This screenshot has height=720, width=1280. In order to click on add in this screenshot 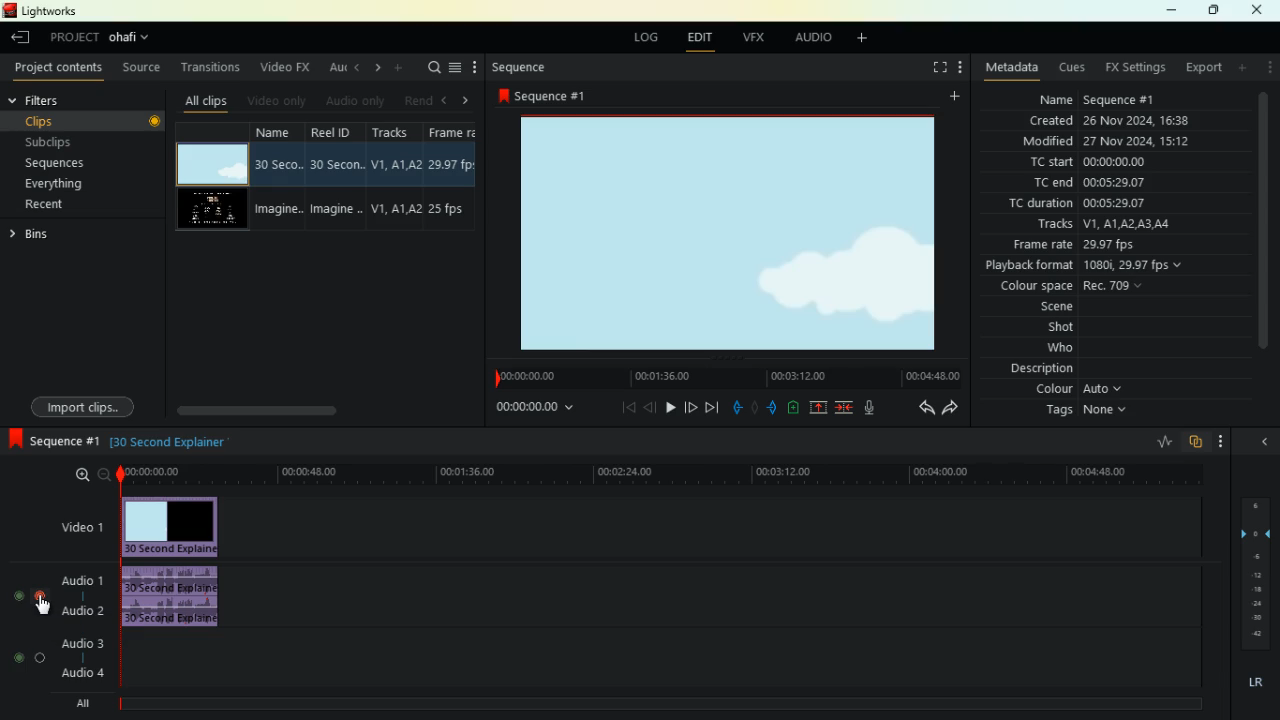, I will do `click(1242, 68)`.